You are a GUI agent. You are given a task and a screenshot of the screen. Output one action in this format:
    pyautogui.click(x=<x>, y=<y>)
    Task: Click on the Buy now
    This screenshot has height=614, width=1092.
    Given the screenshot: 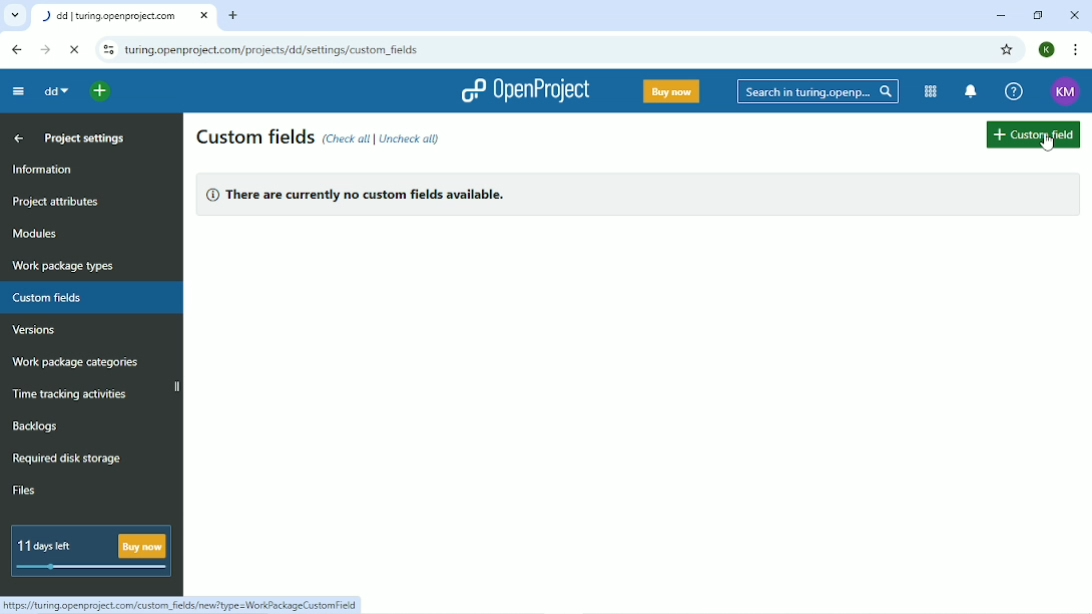 What is the action you would take?
    pyautogui.click(x=670, y=90)
    